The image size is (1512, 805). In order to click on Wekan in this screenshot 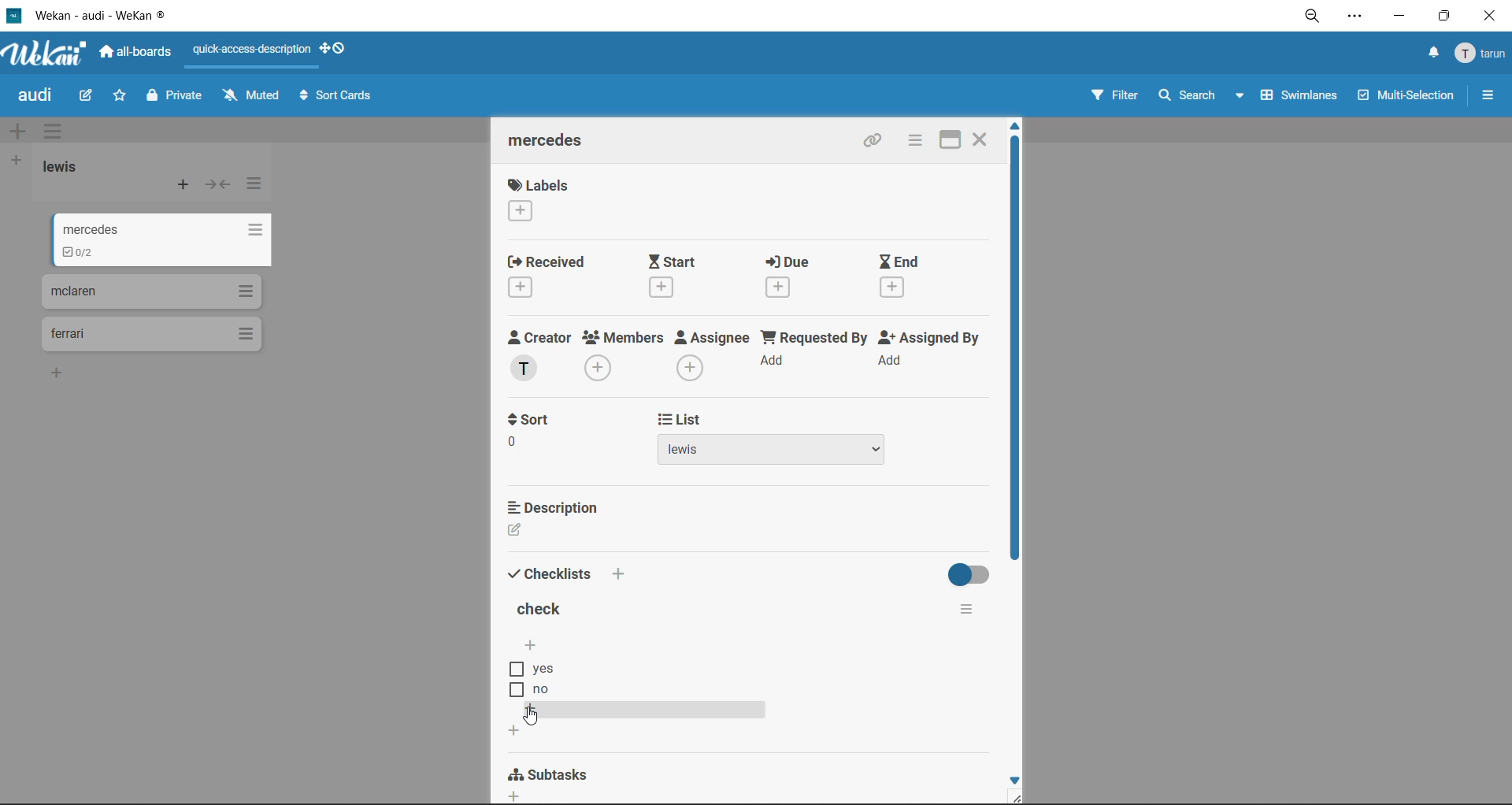, I will do `click(46, 50)`.